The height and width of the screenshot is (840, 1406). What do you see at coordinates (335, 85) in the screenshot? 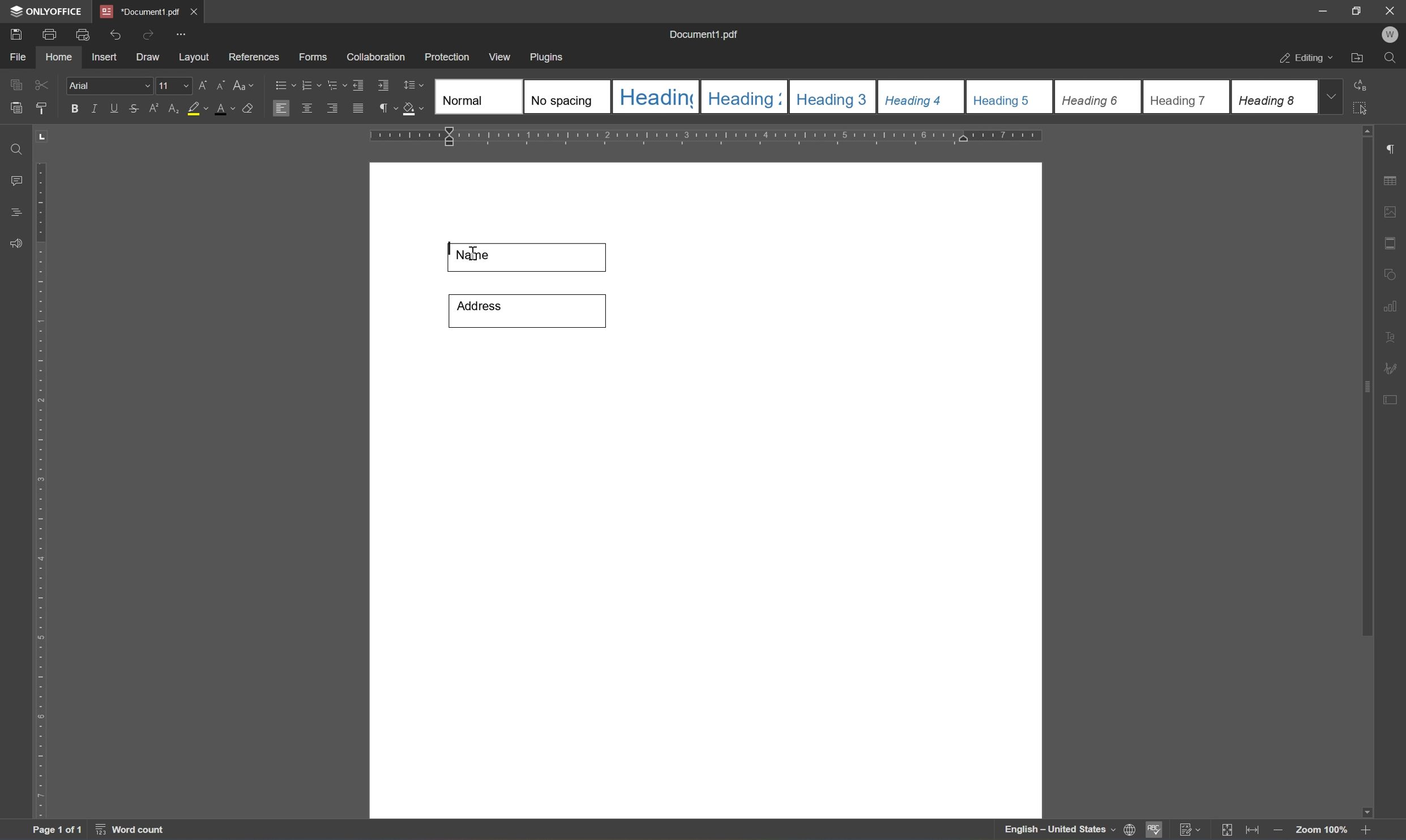
I see `multilevel list` at bounding box center [335, 85].